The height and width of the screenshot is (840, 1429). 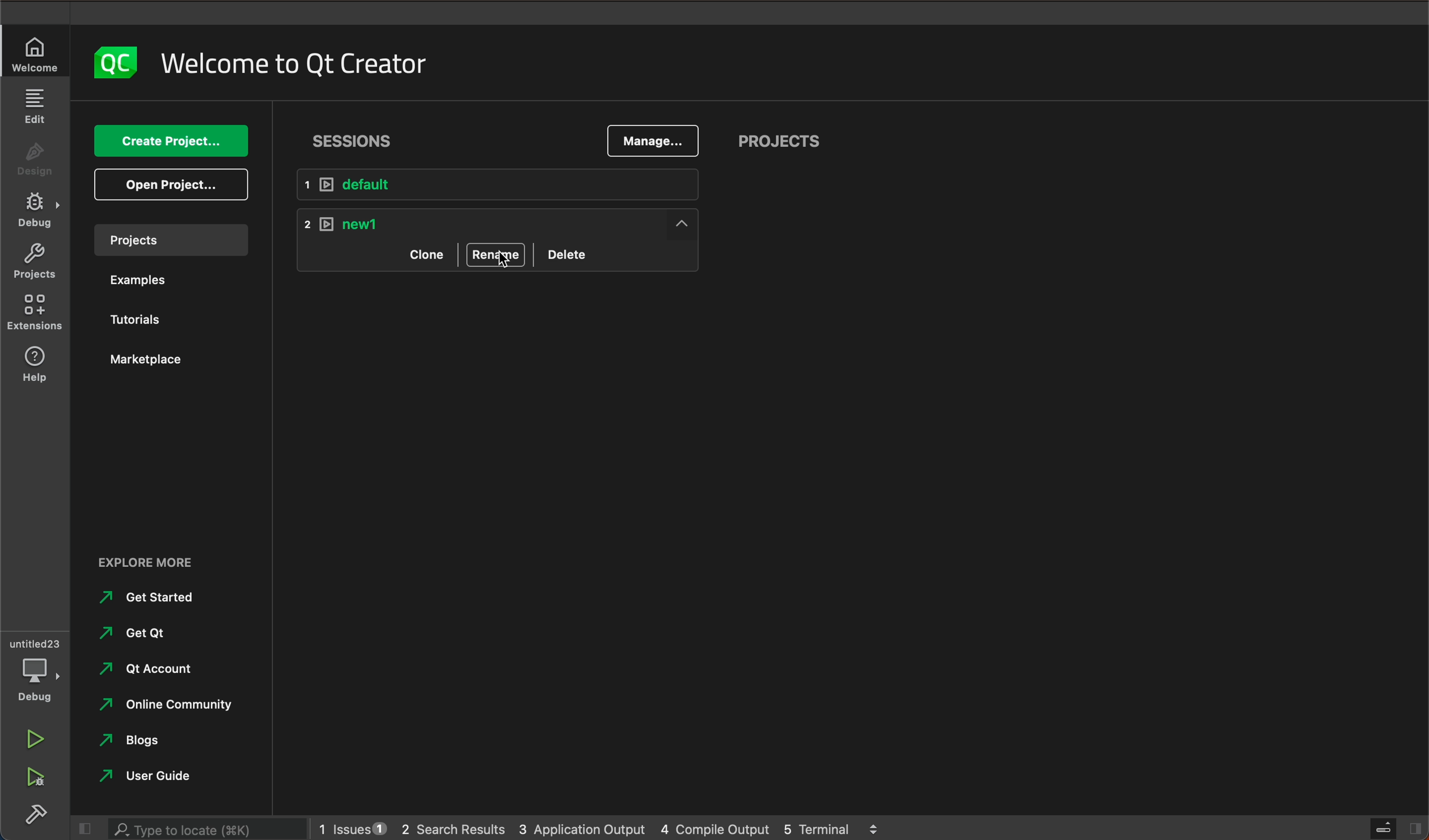 I want to click on projects, so click(x=780, y=143).